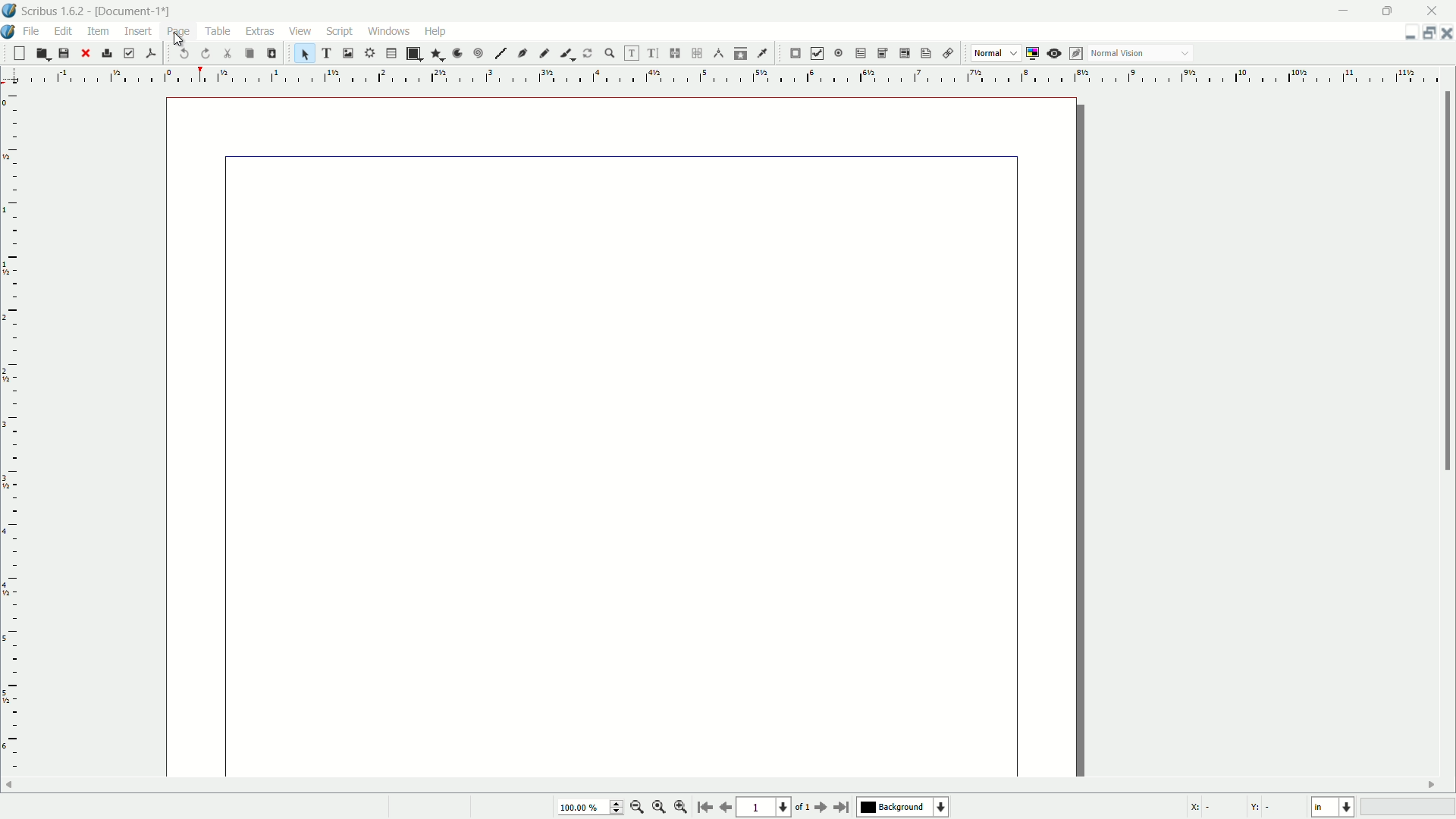 This screenshot has width=1456, height=819. What do you see at coordinates (178, 42) in the screenshot?
I see `cursor` at bounding box center [178, 42].